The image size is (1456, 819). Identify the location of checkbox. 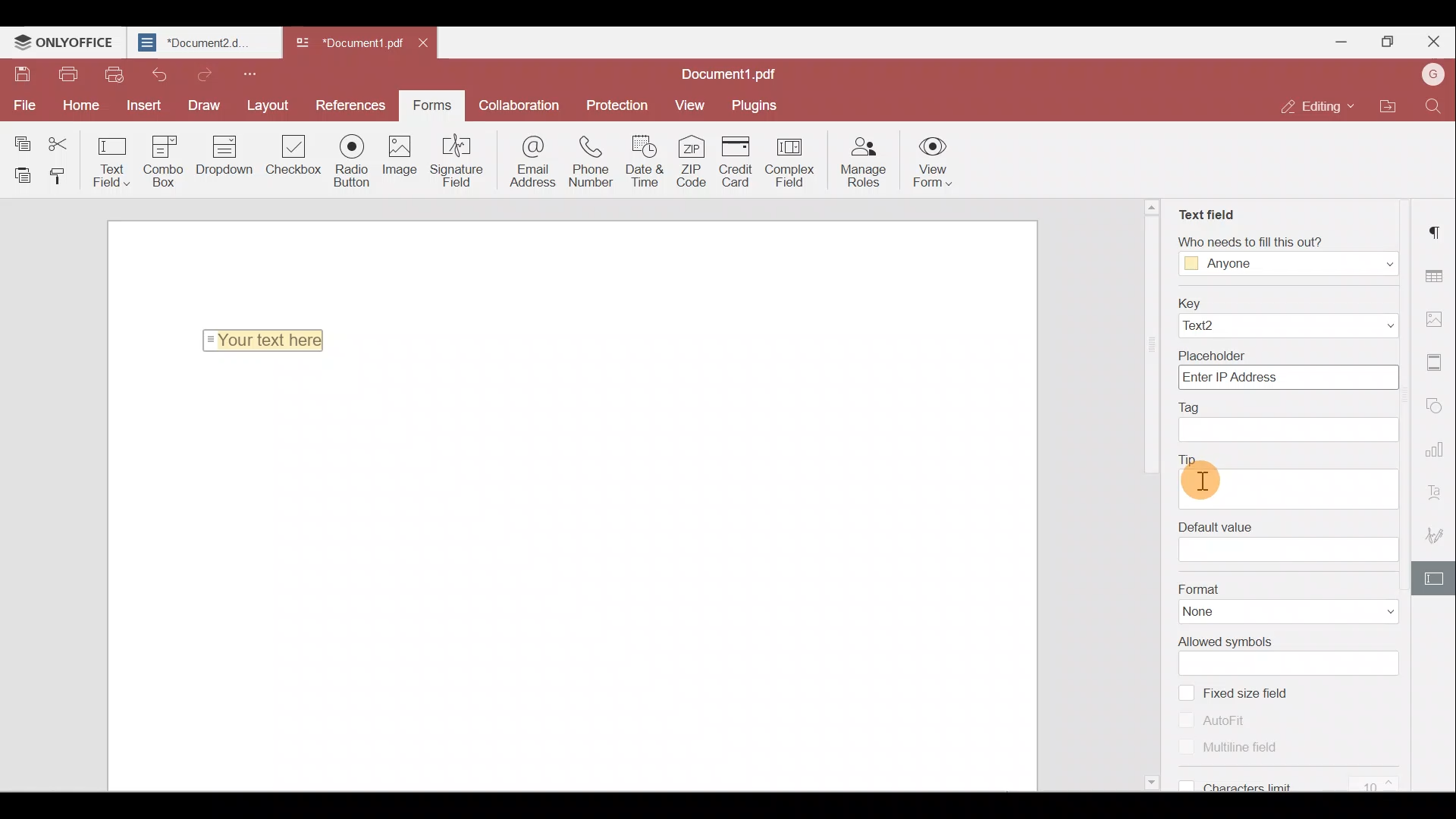
(1183, 783).